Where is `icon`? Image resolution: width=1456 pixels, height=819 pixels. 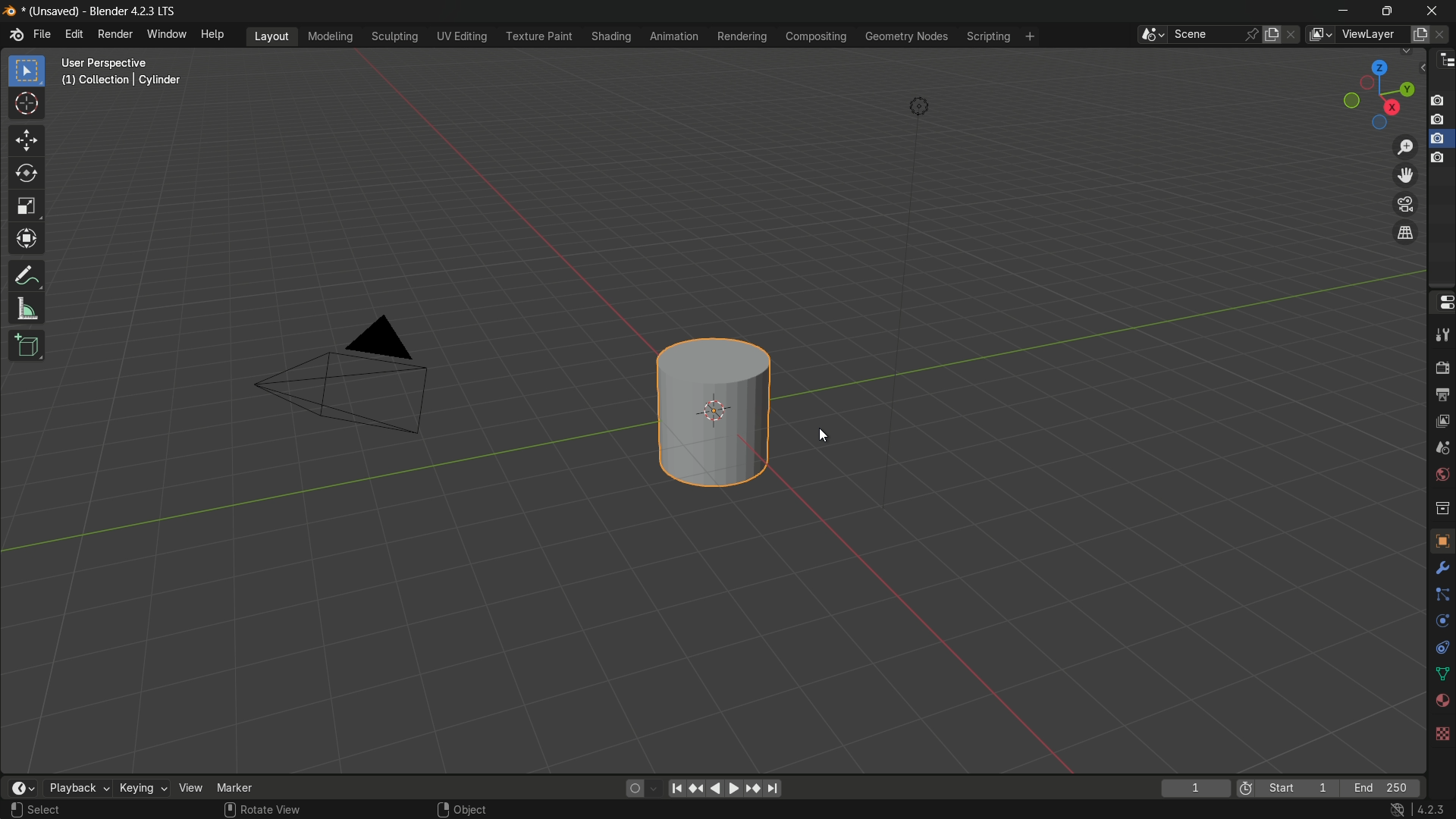 icon is located at coordinates (1246, 787).